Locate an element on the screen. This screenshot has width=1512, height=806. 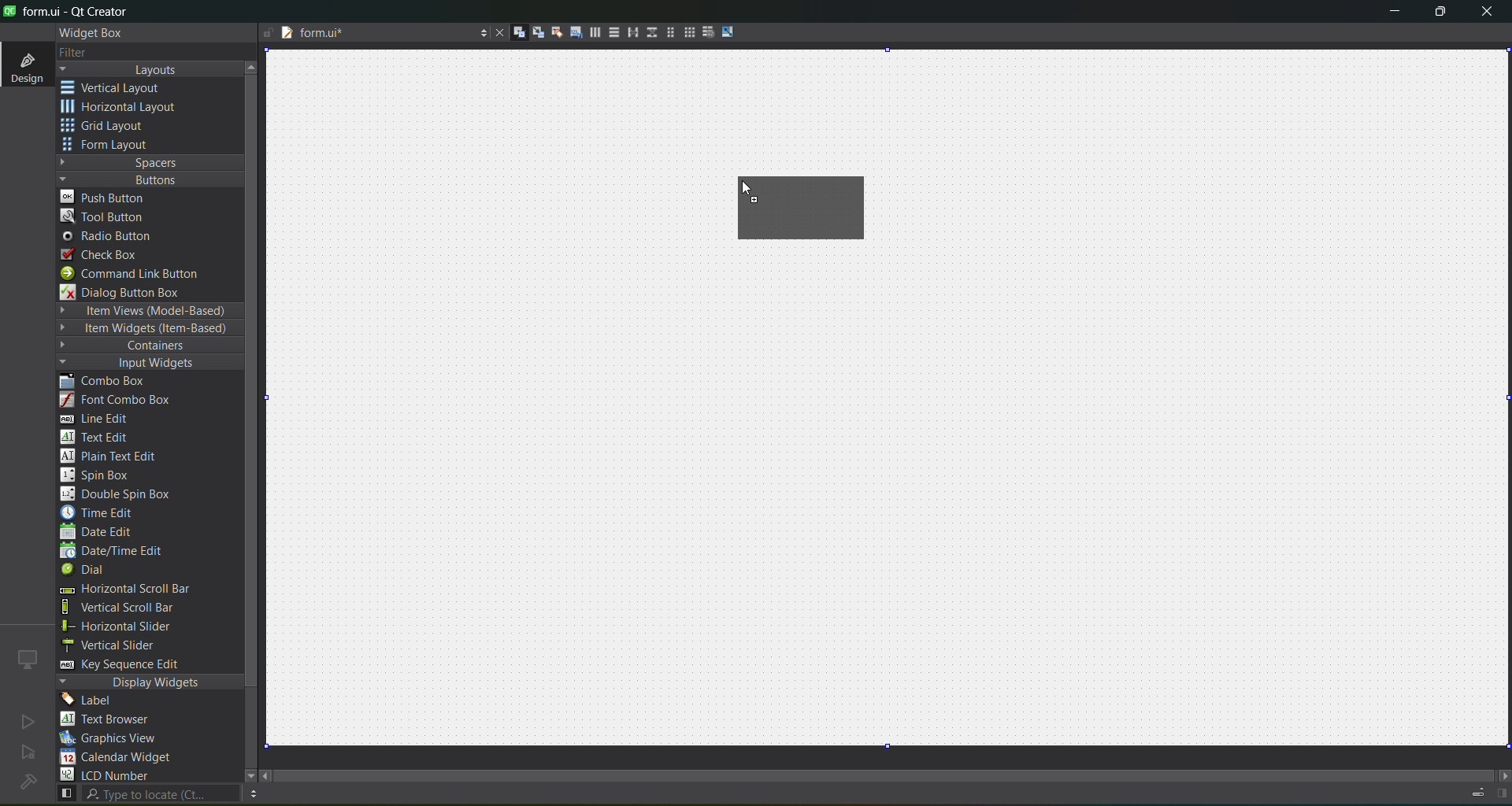
text is located at coordinates (114, 720).